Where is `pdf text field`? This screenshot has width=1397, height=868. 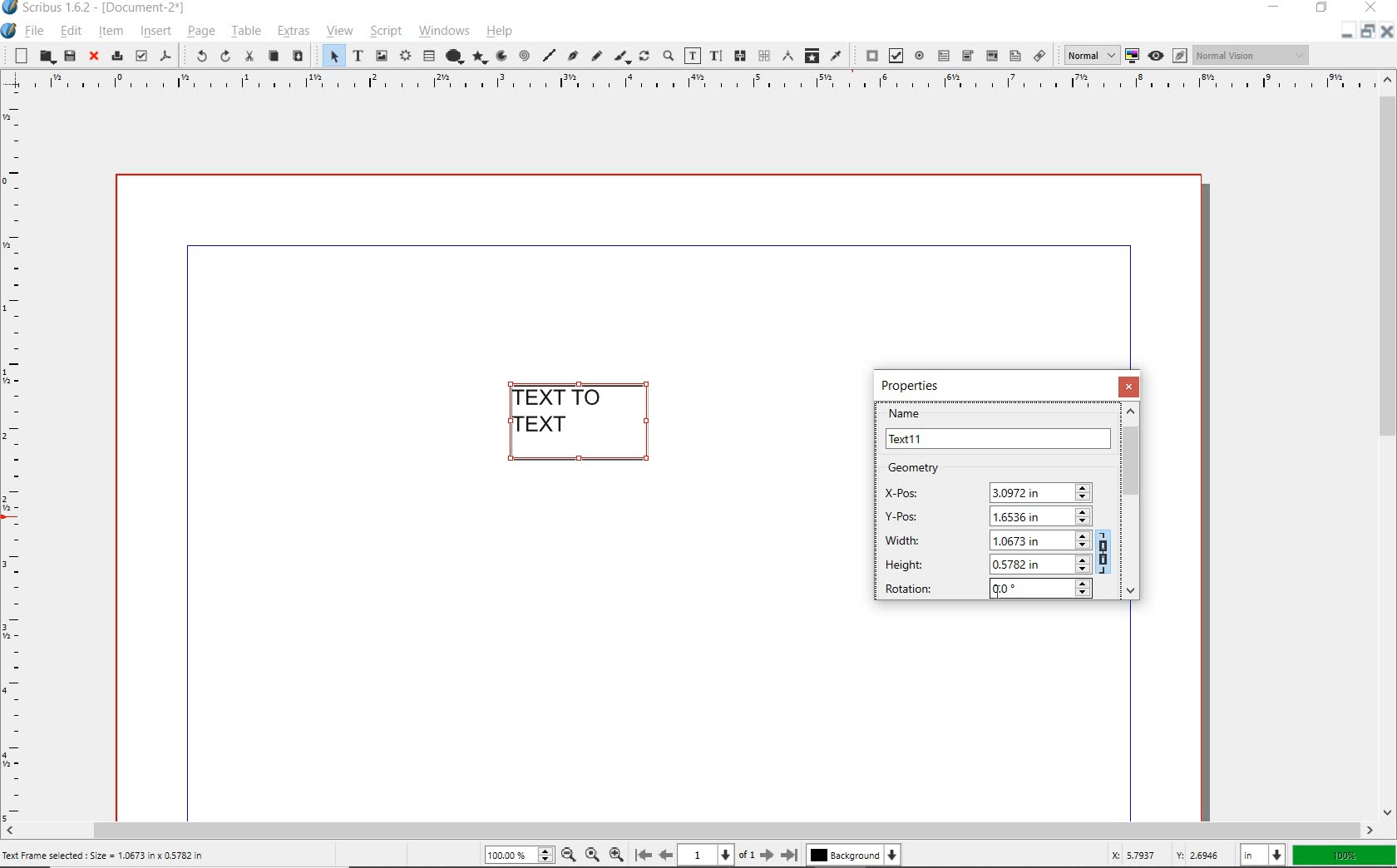
pdf text field is located at coordinates (944, 55).